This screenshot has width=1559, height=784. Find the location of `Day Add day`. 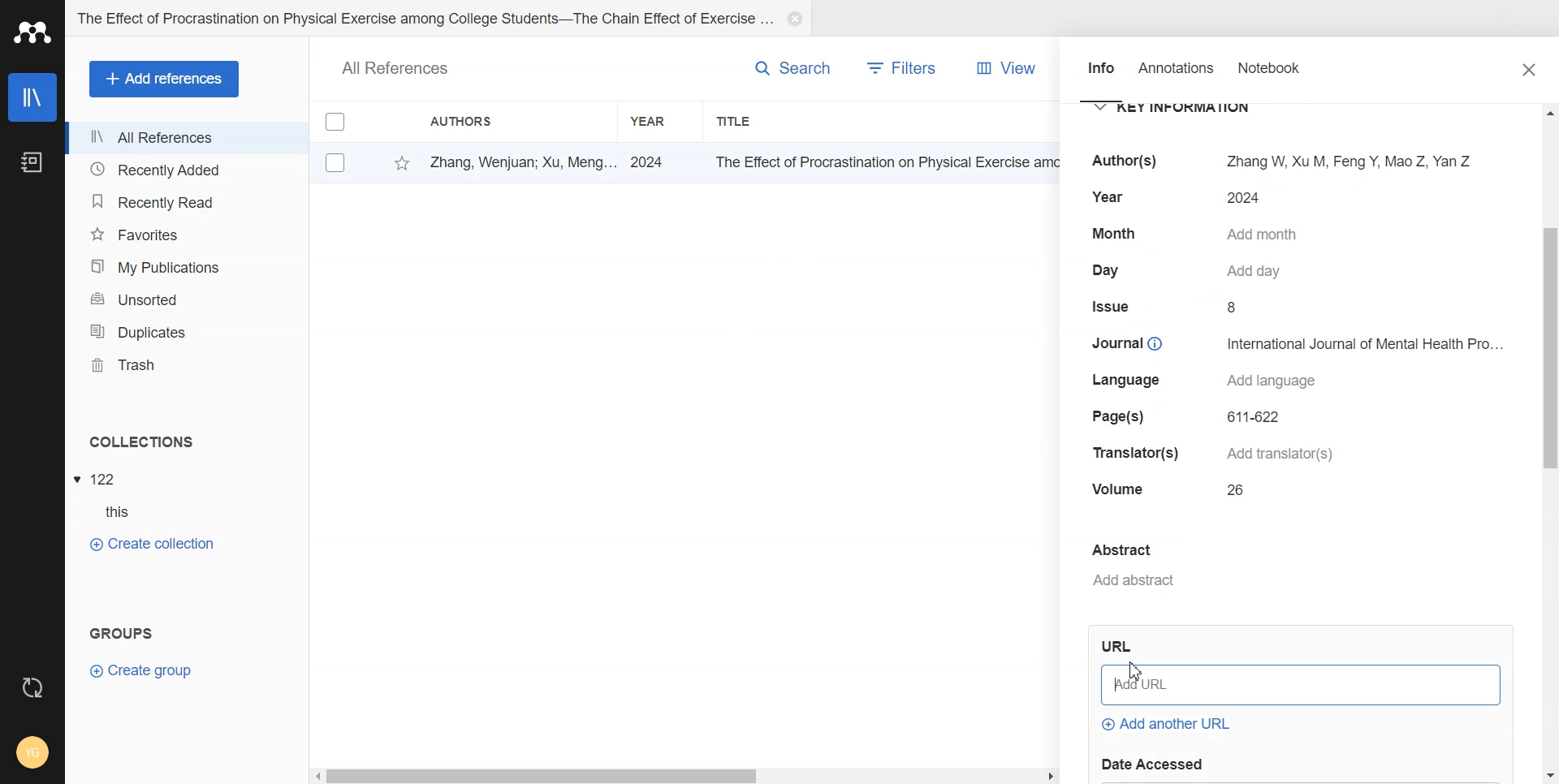

Day Add day is located at coordinates (1193, 271).